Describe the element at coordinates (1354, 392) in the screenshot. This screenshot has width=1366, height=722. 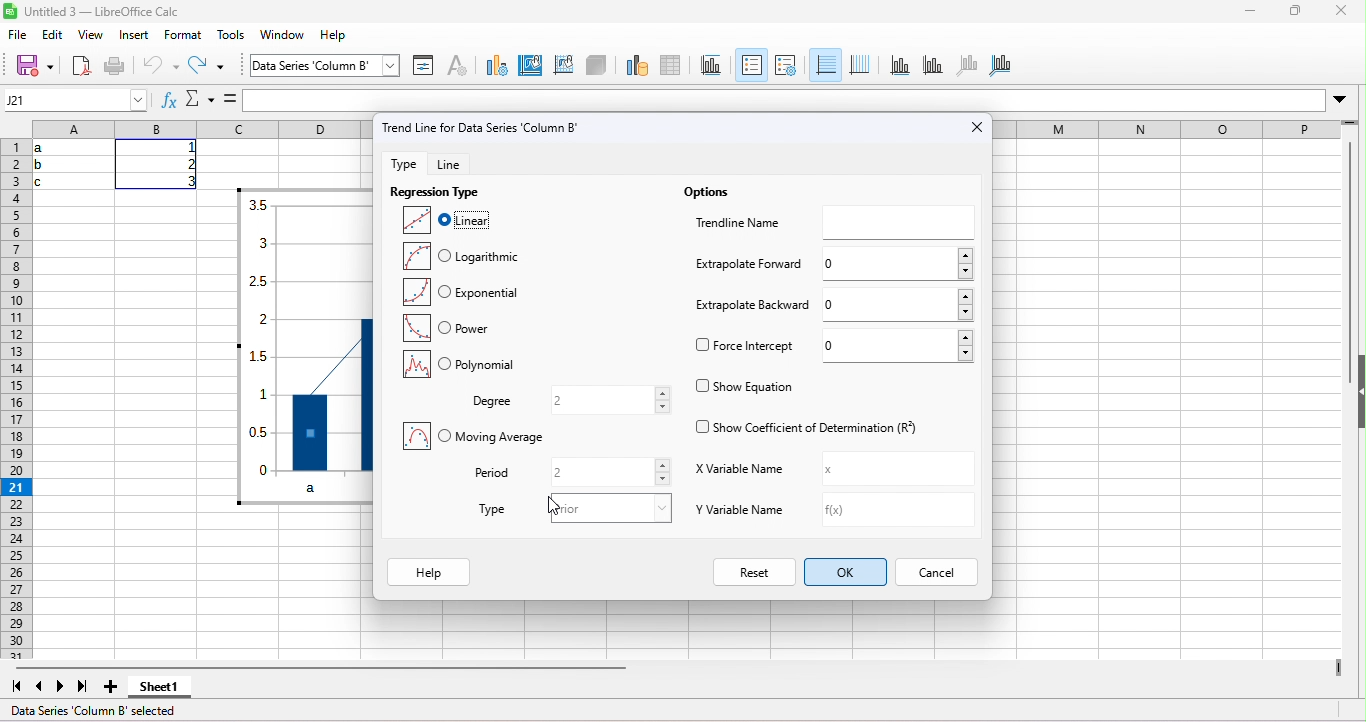
I see `height` at that location.